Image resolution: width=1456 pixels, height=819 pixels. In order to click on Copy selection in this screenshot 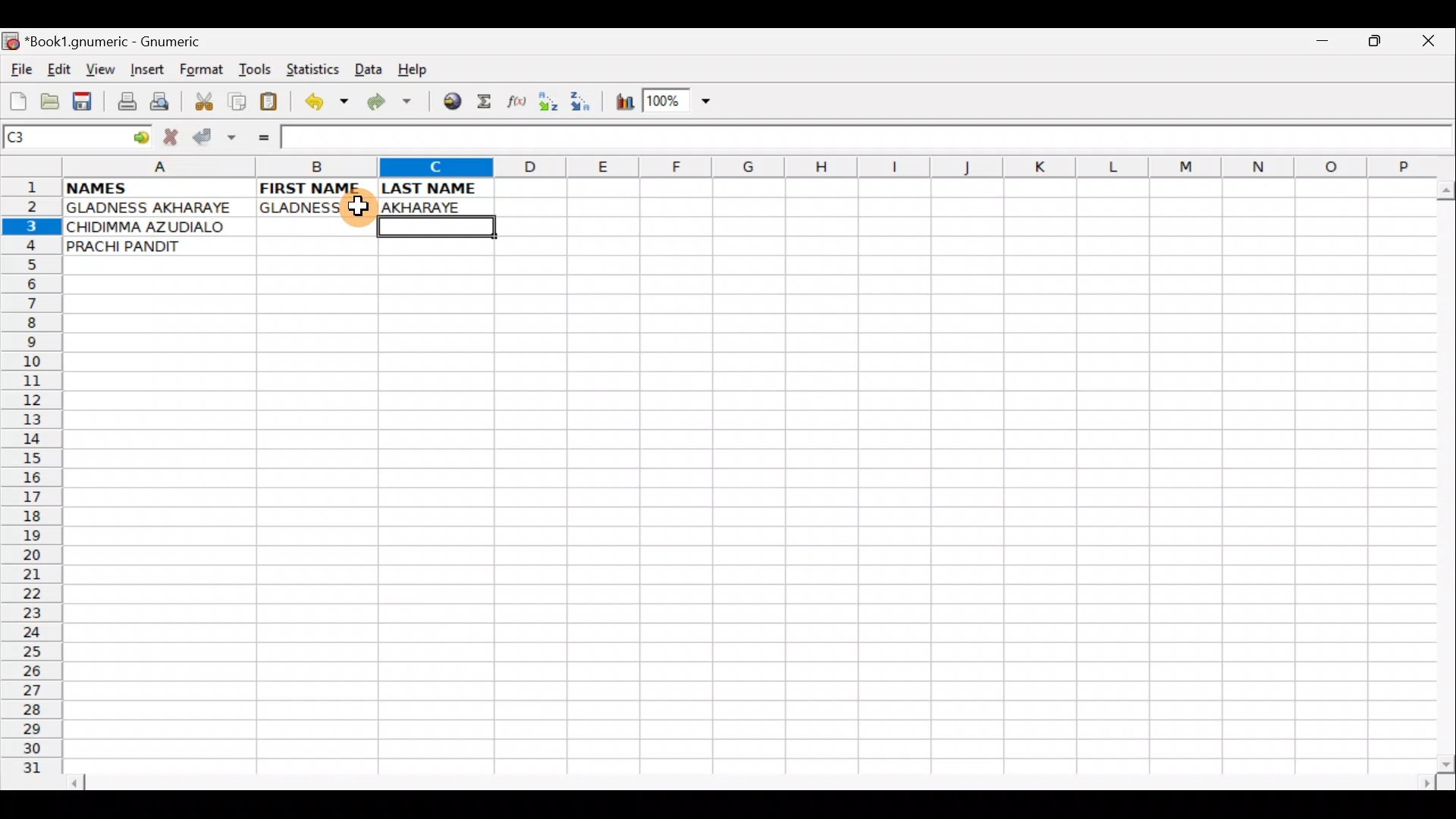, I will do `click(238, 101)`.